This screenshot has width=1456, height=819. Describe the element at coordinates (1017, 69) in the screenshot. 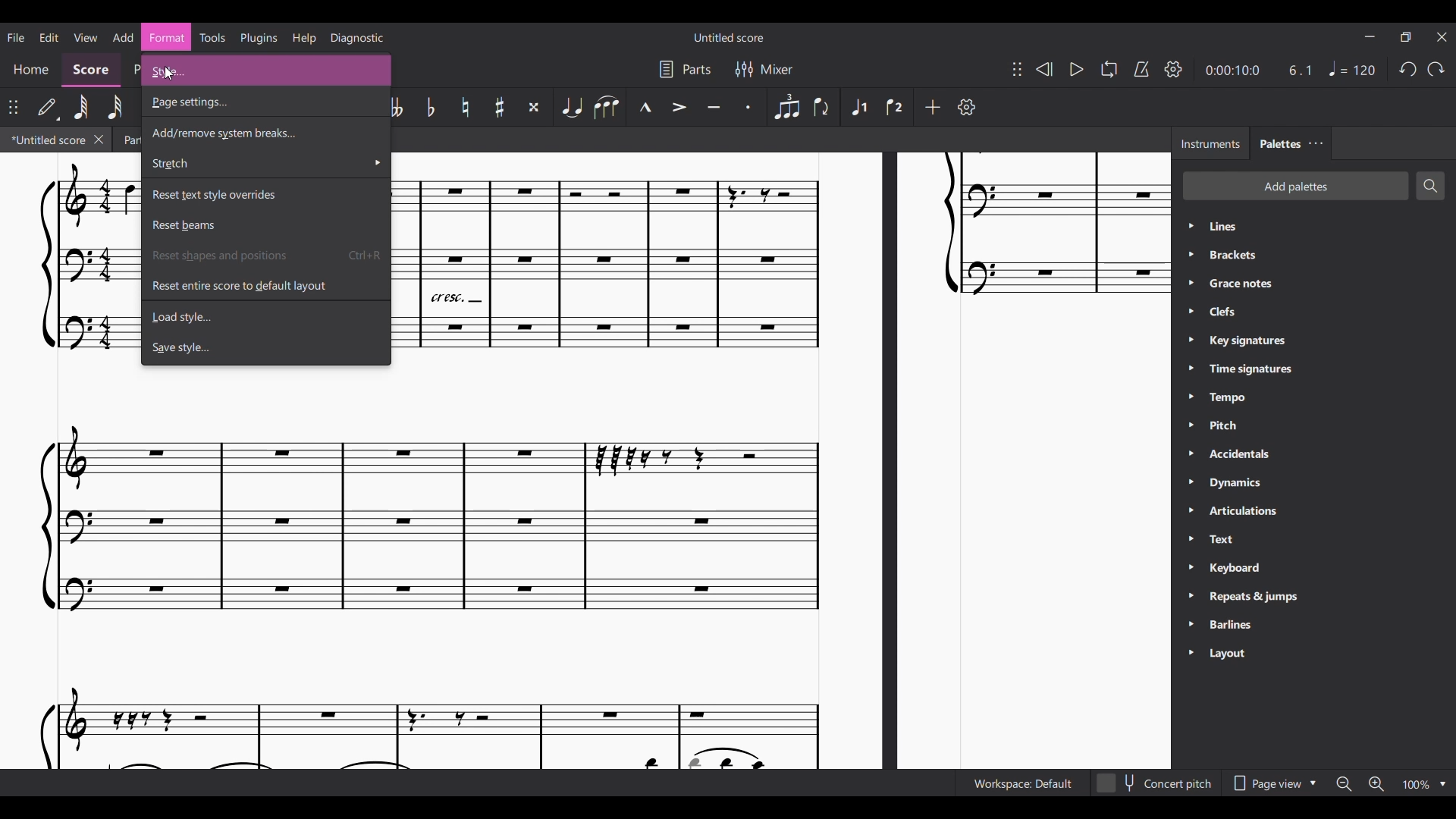

I see `Change position of toolbar attached` at that location.